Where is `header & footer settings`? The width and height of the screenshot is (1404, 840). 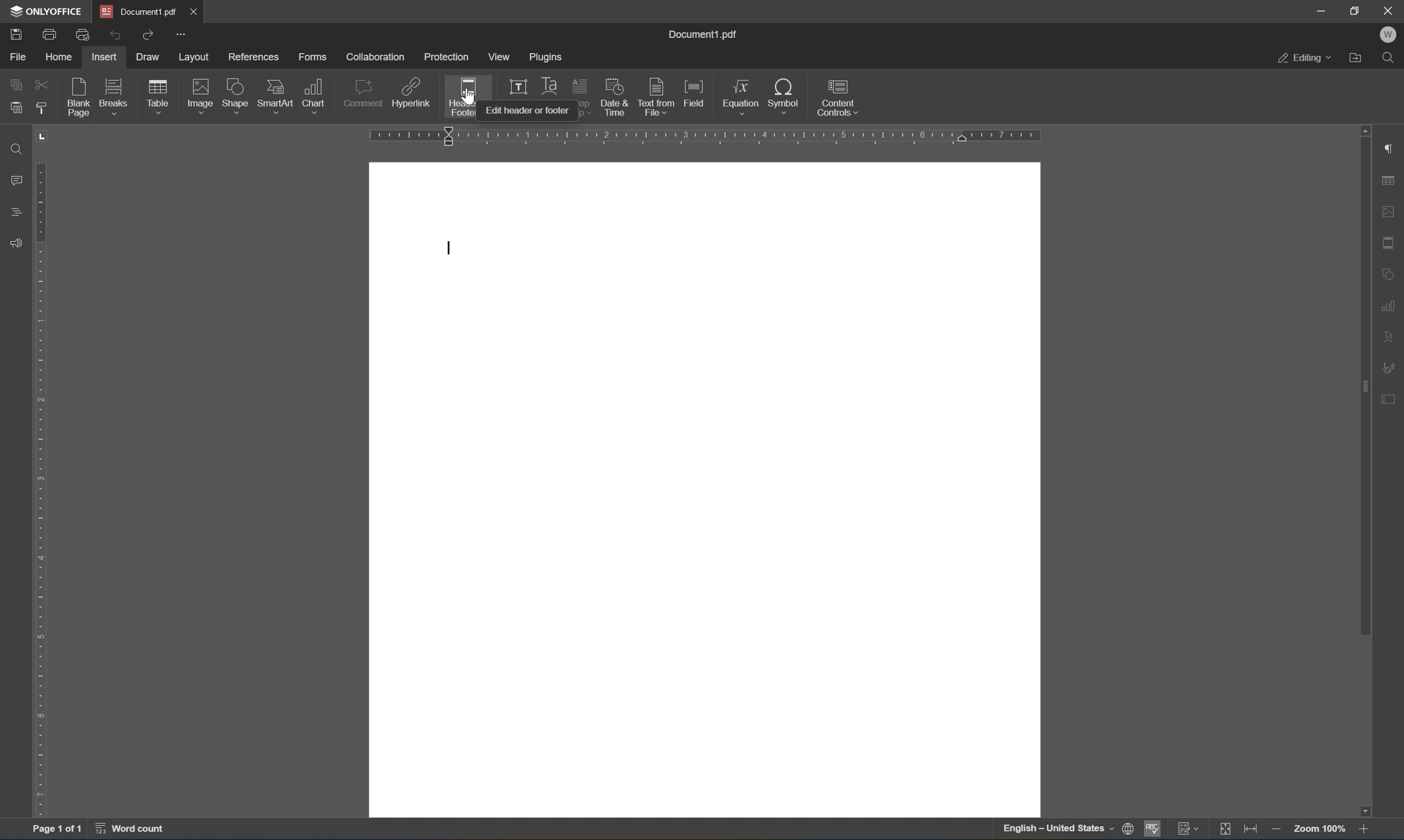
header & footer settings is located at coordinates (1391, 242).